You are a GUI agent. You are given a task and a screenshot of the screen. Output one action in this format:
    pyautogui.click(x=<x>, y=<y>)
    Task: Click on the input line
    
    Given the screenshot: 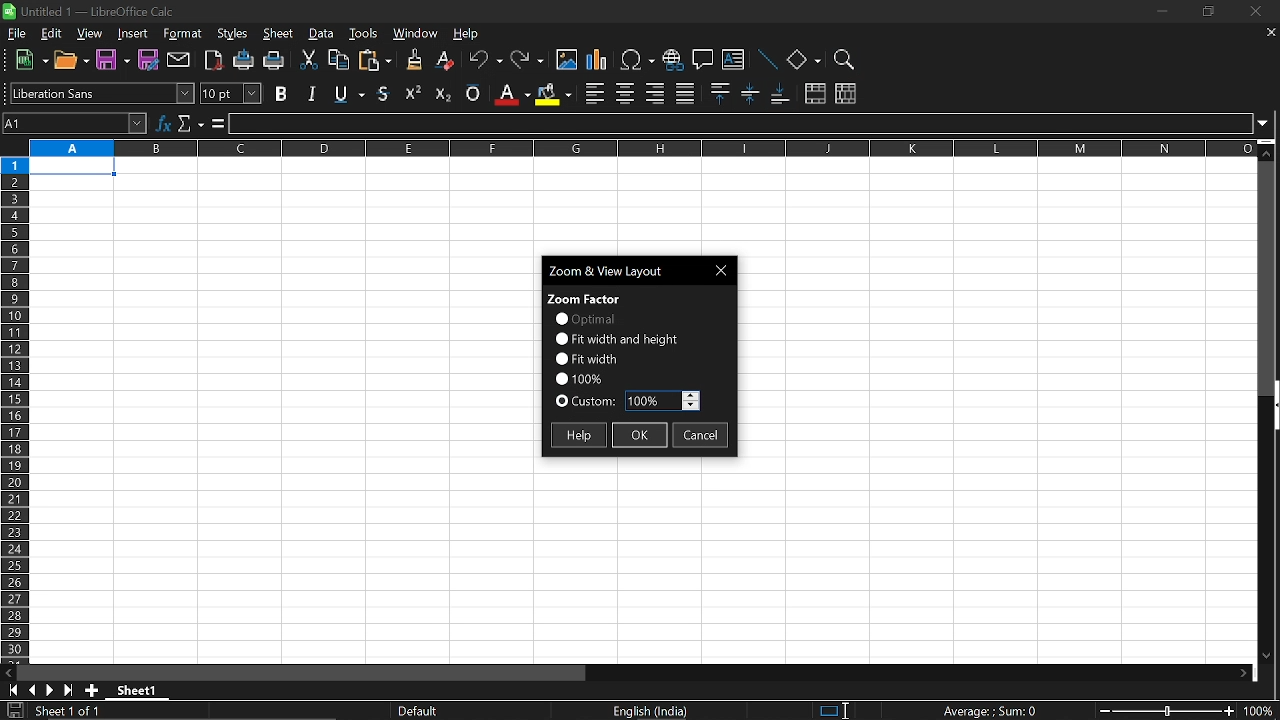 What is the action you would take?
    pyautogui.click(x=742, y=124)
    